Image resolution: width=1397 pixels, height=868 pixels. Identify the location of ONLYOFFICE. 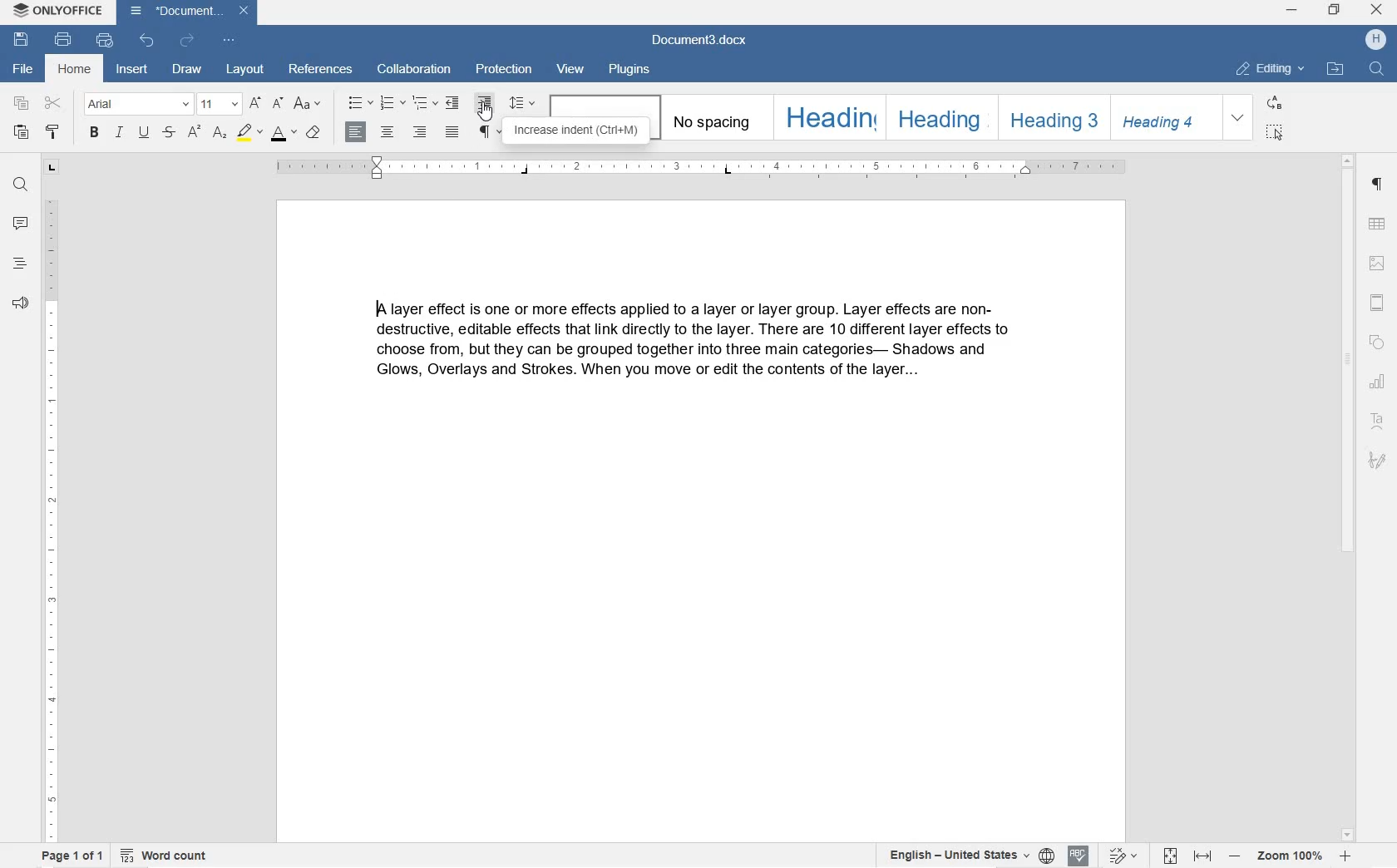
(57, 12).